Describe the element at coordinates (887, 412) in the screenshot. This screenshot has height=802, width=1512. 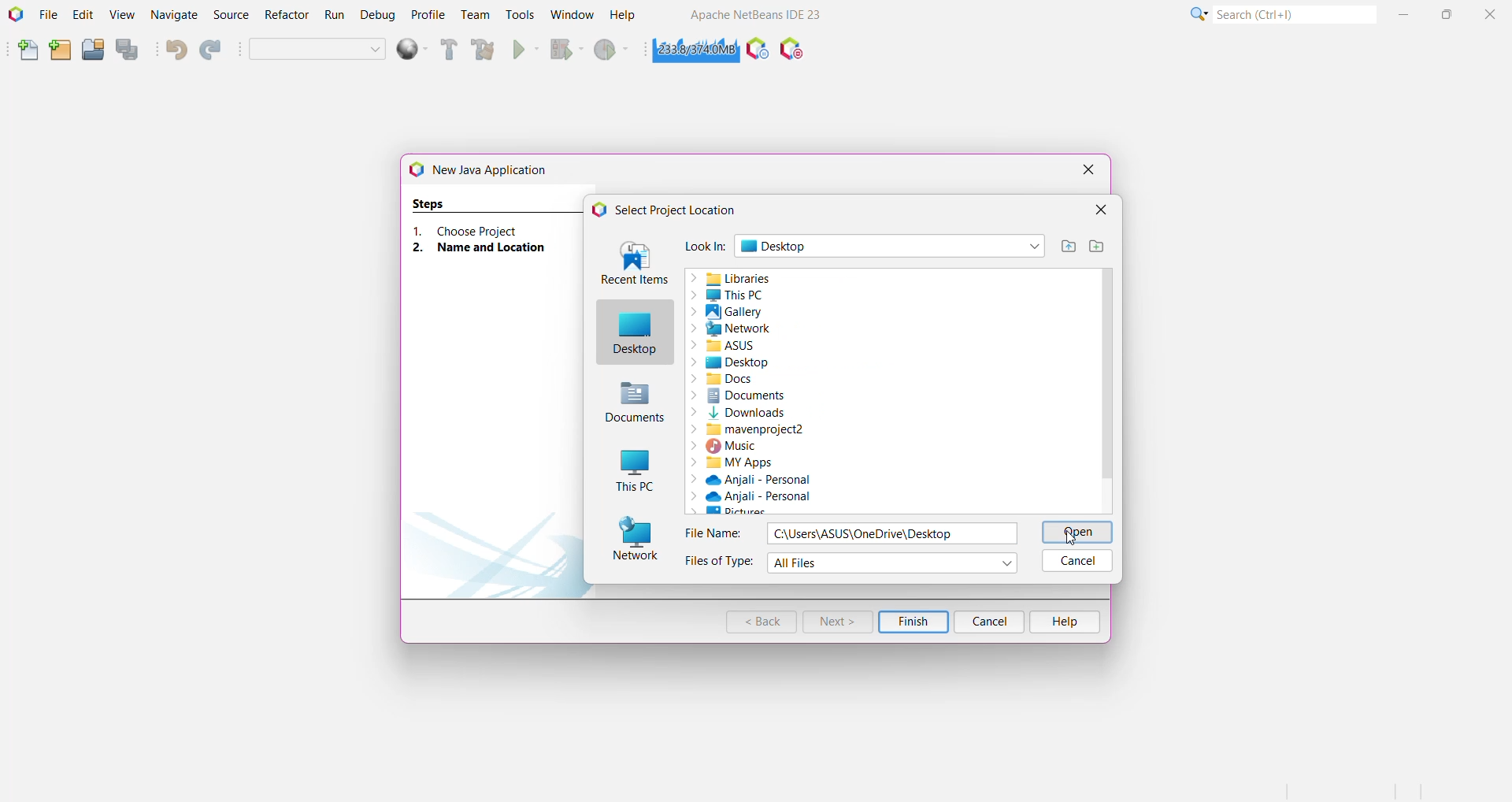
I see `Downloads` at that location.